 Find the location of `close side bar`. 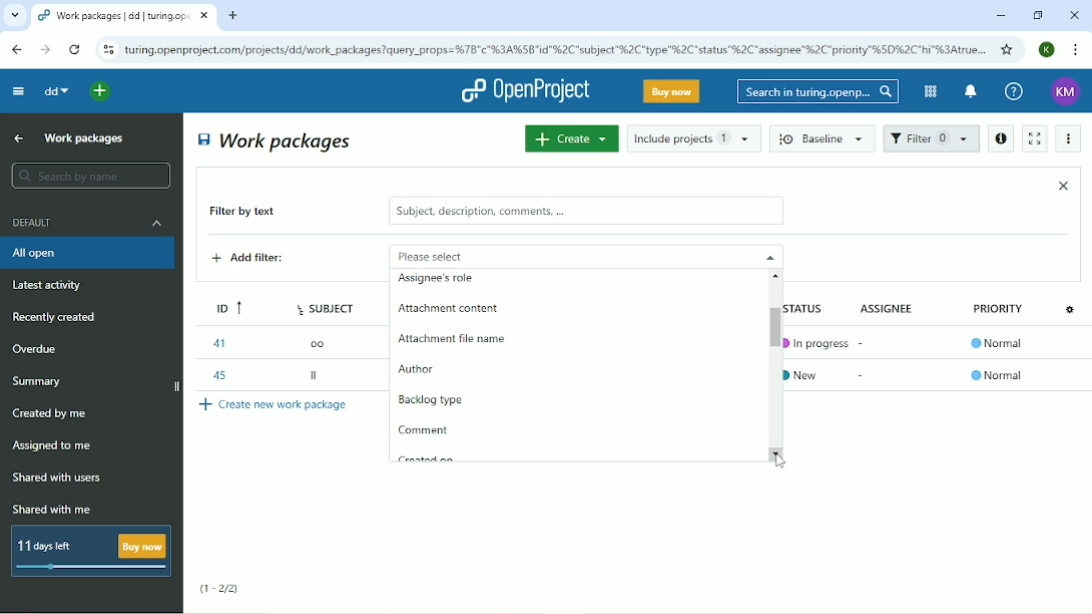

close side bar is located at coordinates (175, 388).